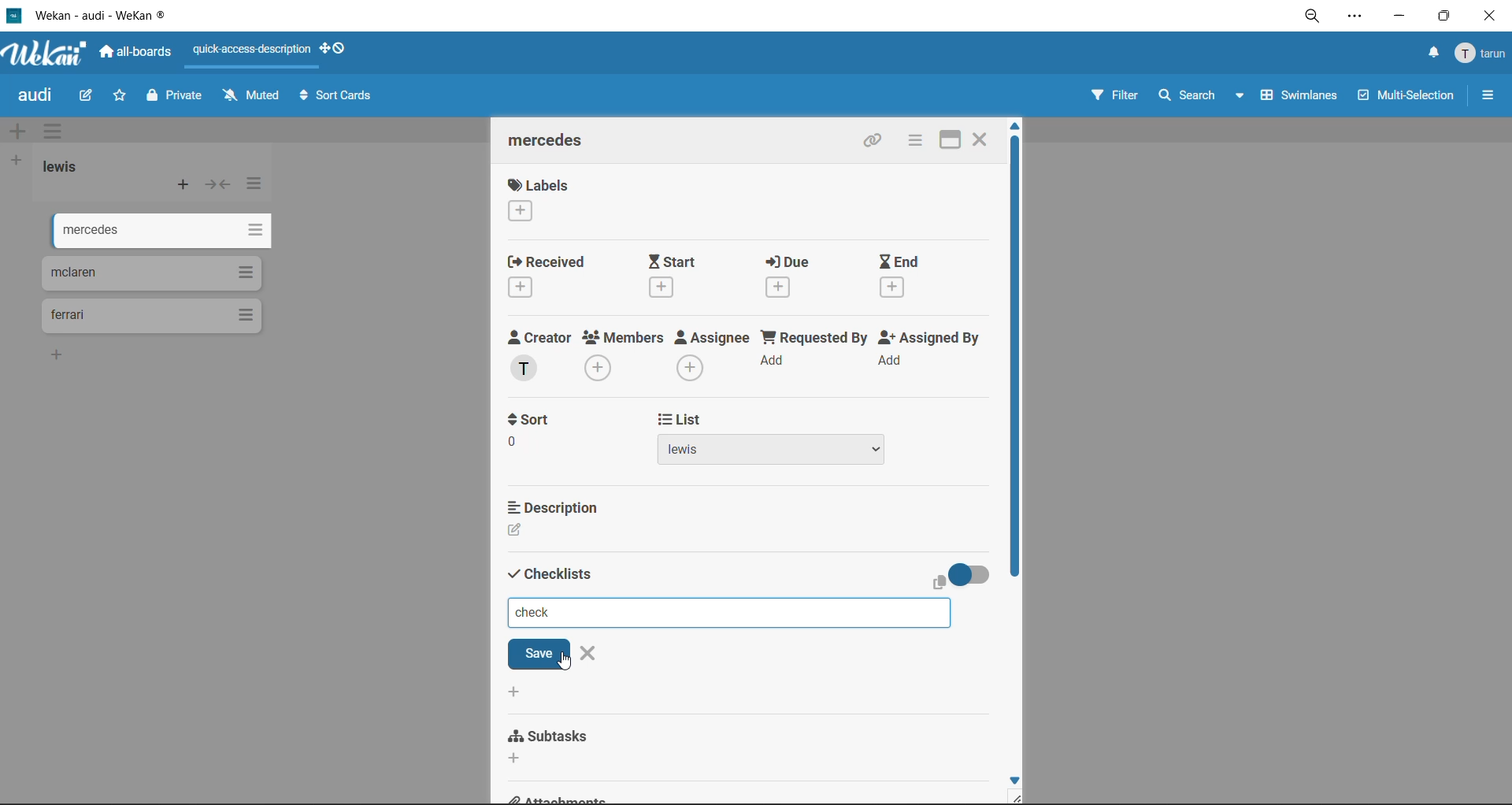 Image resolution: width=1512 pixels, height=805 pixels. What do you see at coordinates (1196, 96) in the screenshot?
I see `search` at bounding box center [1196, 96].